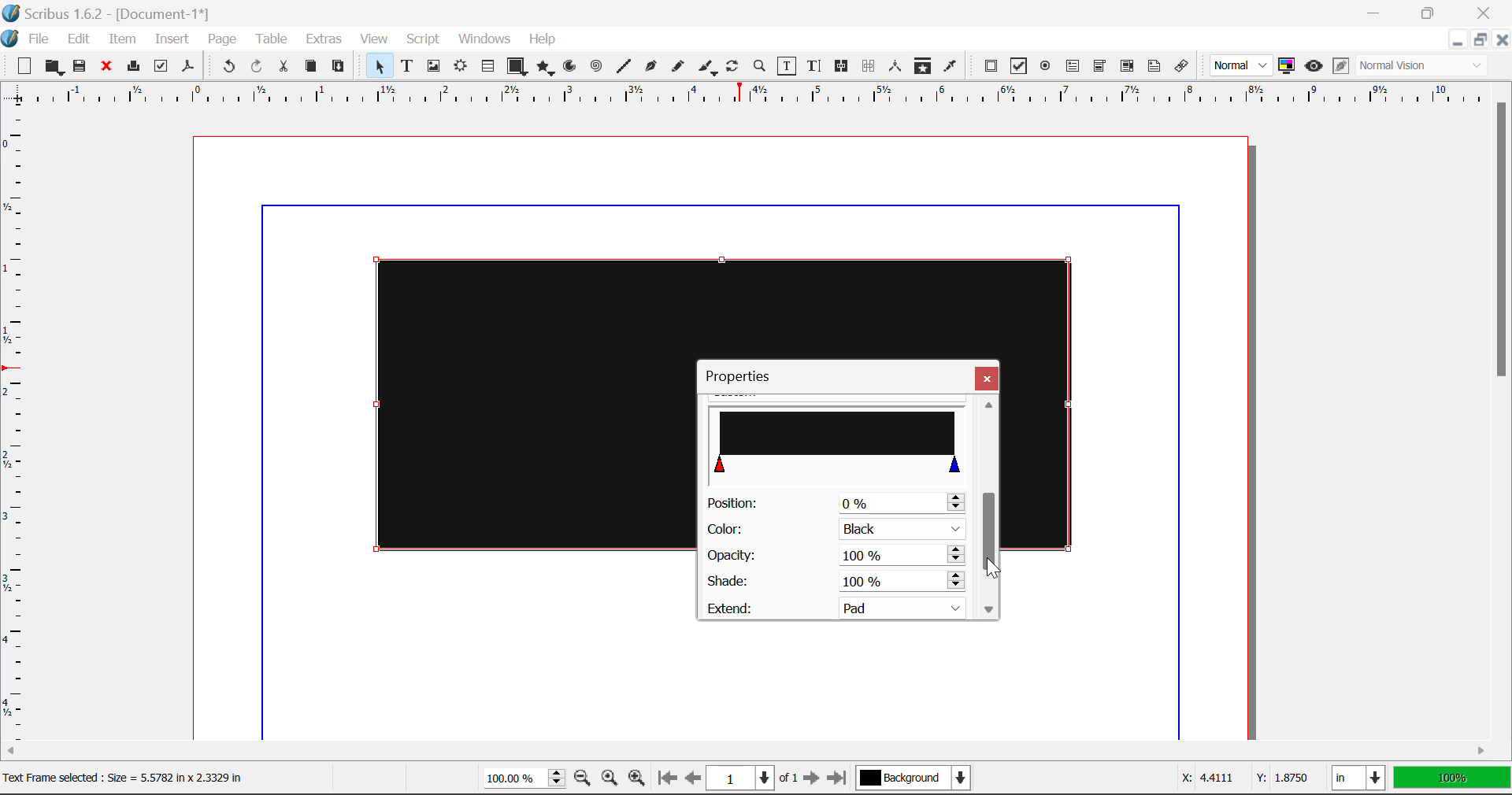 This screenshot has height=795, width=1512. Describe the element at coordinates (835, 556) in the screenshot. I see `Opacity` at that location.